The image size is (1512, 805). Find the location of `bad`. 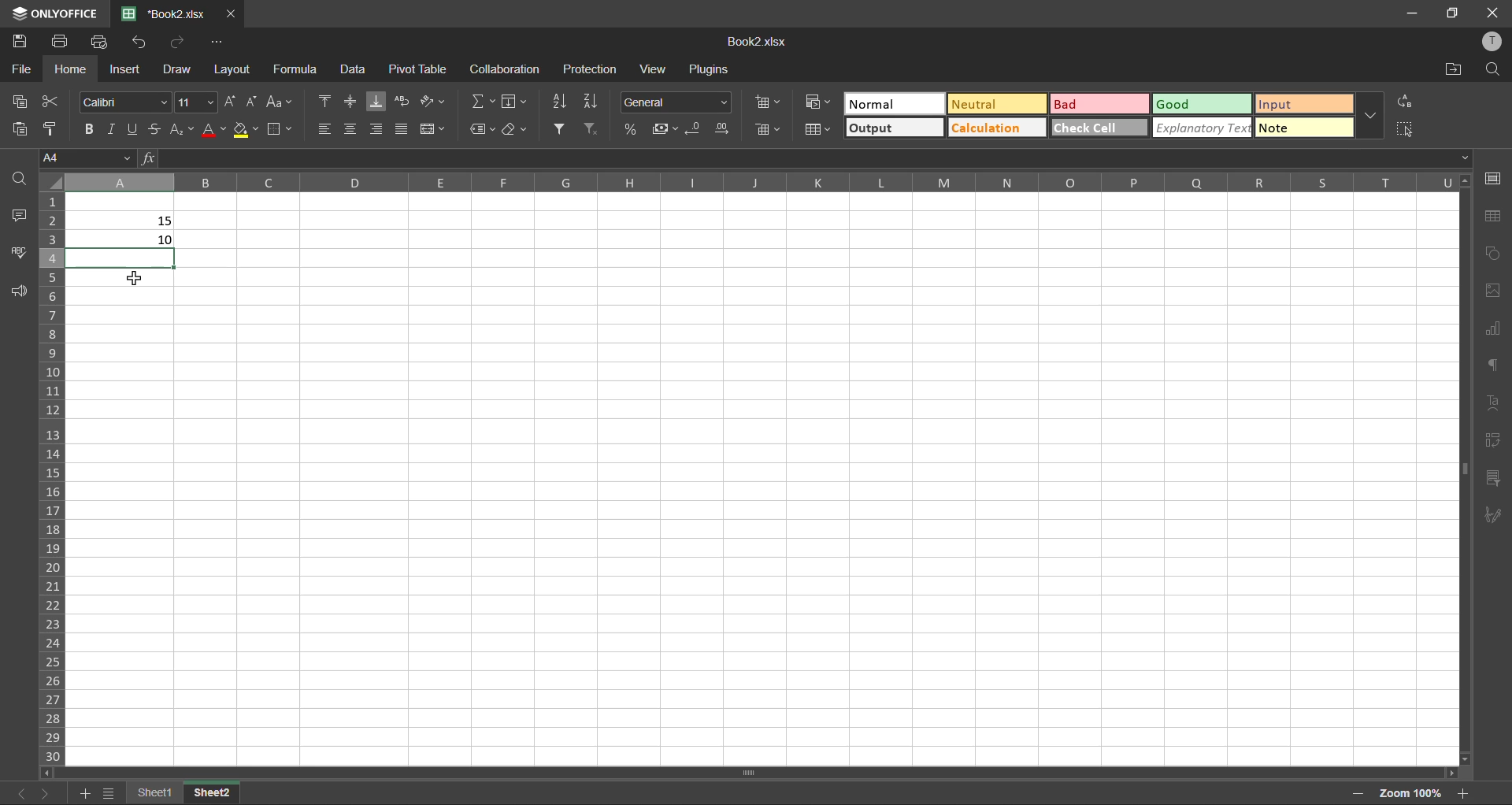

bad is located at coordinates (1099, 104).